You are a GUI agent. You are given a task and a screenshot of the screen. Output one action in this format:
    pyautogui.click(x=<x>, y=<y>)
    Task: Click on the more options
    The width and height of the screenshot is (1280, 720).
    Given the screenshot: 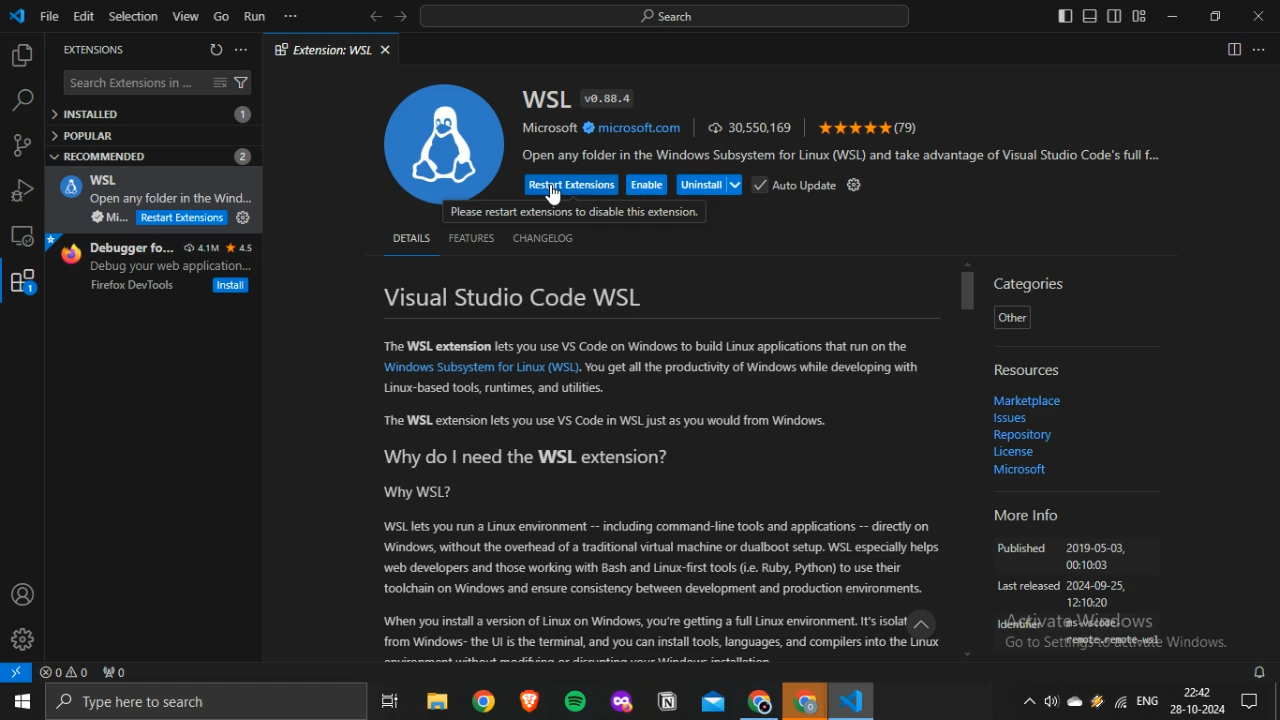 What is the action you would take?
    pyautogui.click(x=290, y=15)
    